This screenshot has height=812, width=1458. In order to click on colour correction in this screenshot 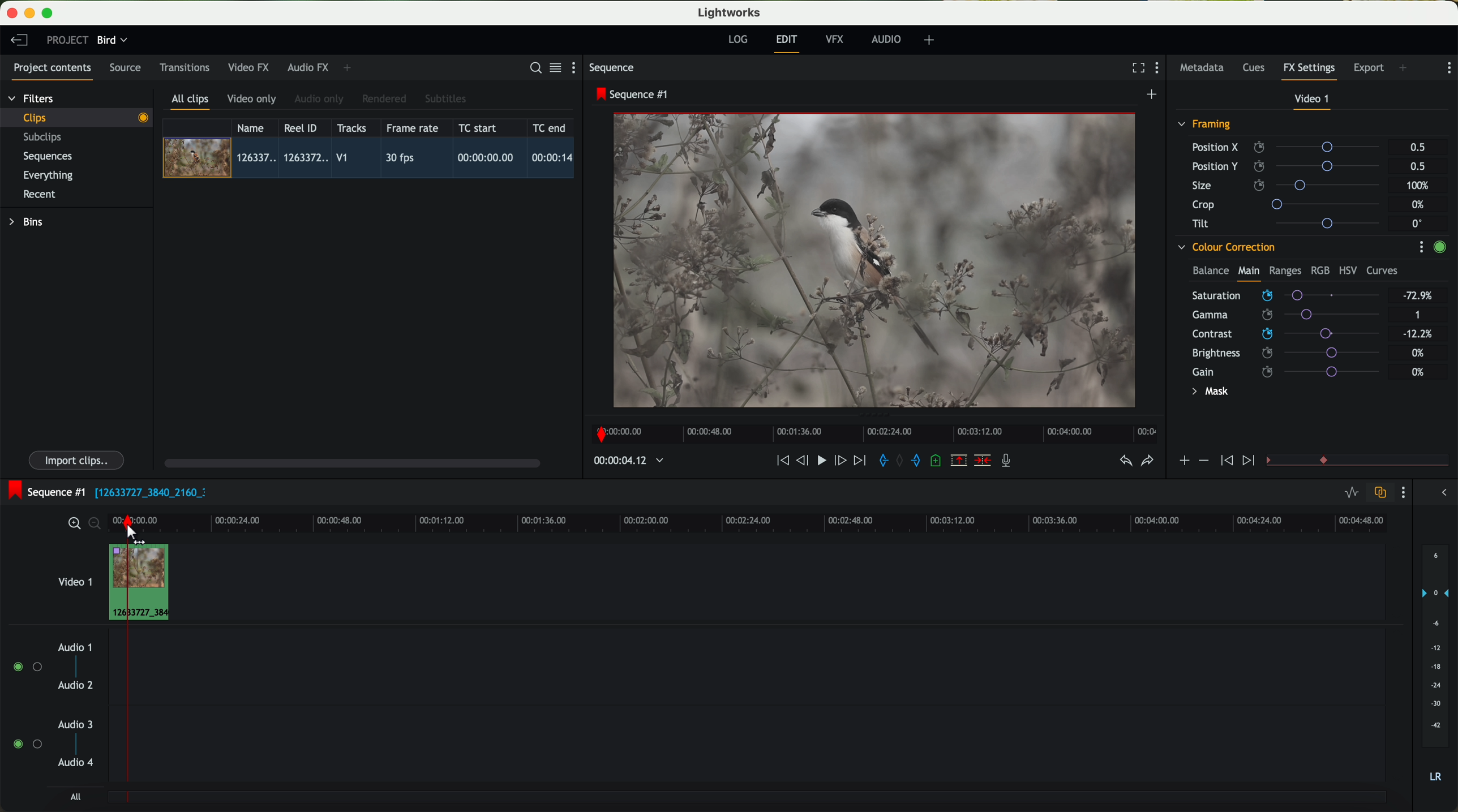, I will do `click(1225, 247)`.